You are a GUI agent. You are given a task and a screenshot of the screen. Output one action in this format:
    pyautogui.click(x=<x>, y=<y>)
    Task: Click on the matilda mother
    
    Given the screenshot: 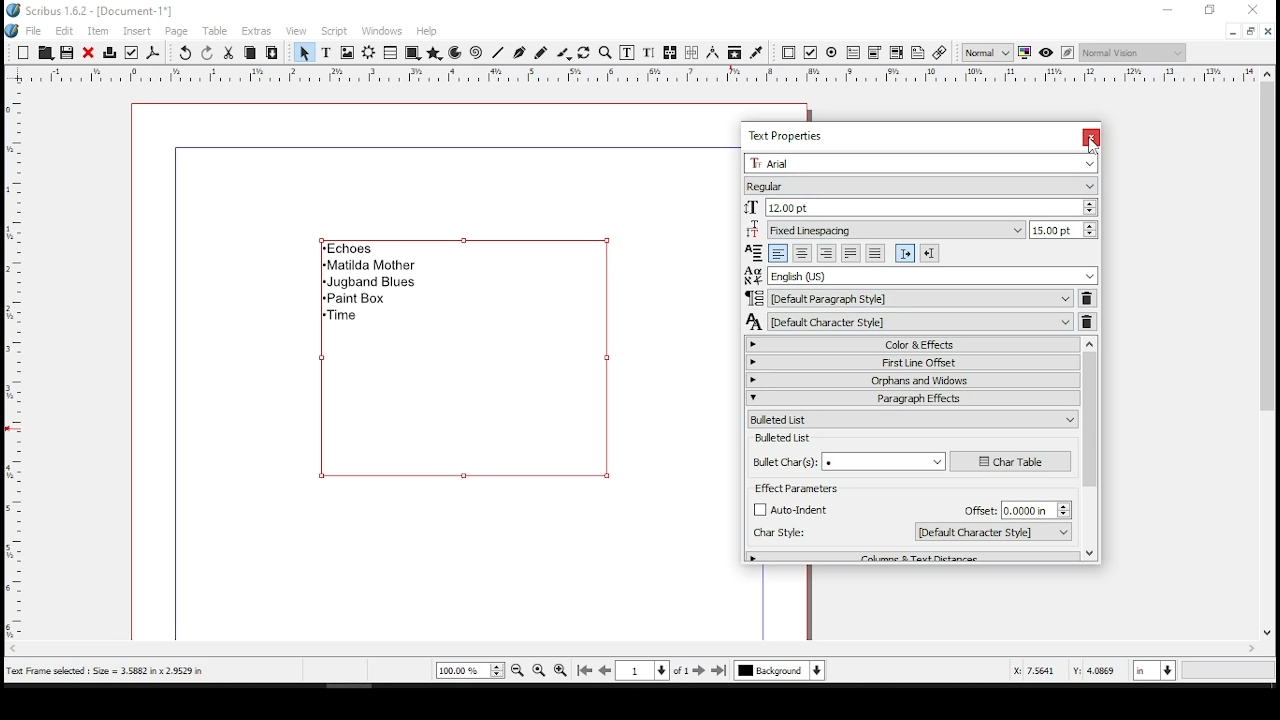 What is the action you would take?
    pyautogui.click(x=367, y=266)
    